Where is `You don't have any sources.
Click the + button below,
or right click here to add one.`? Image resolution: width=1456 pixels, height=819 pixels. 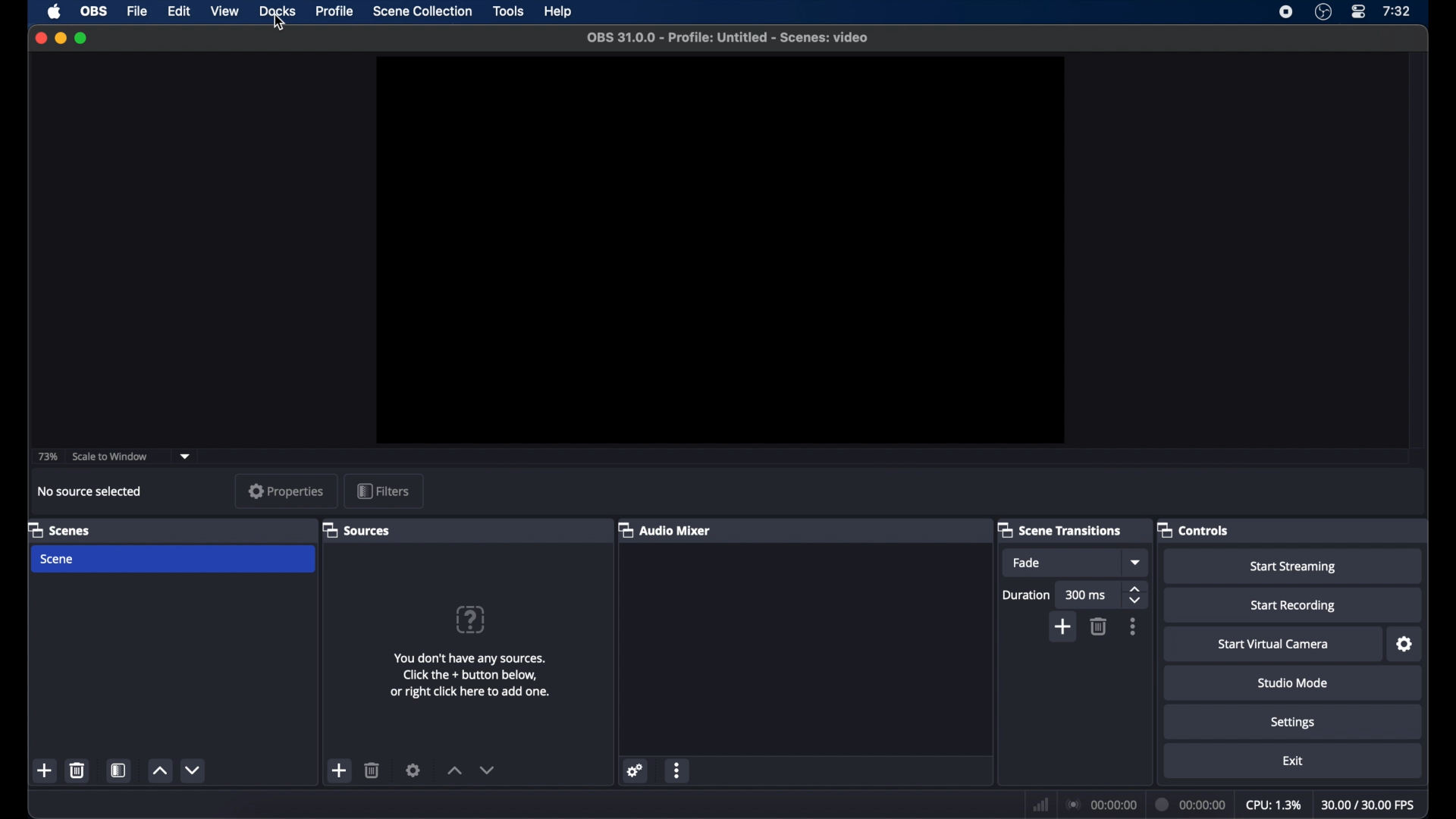 You don't have any sources.
Click the + button below,
or right click here to add one. is located at coordinates (472, 673).